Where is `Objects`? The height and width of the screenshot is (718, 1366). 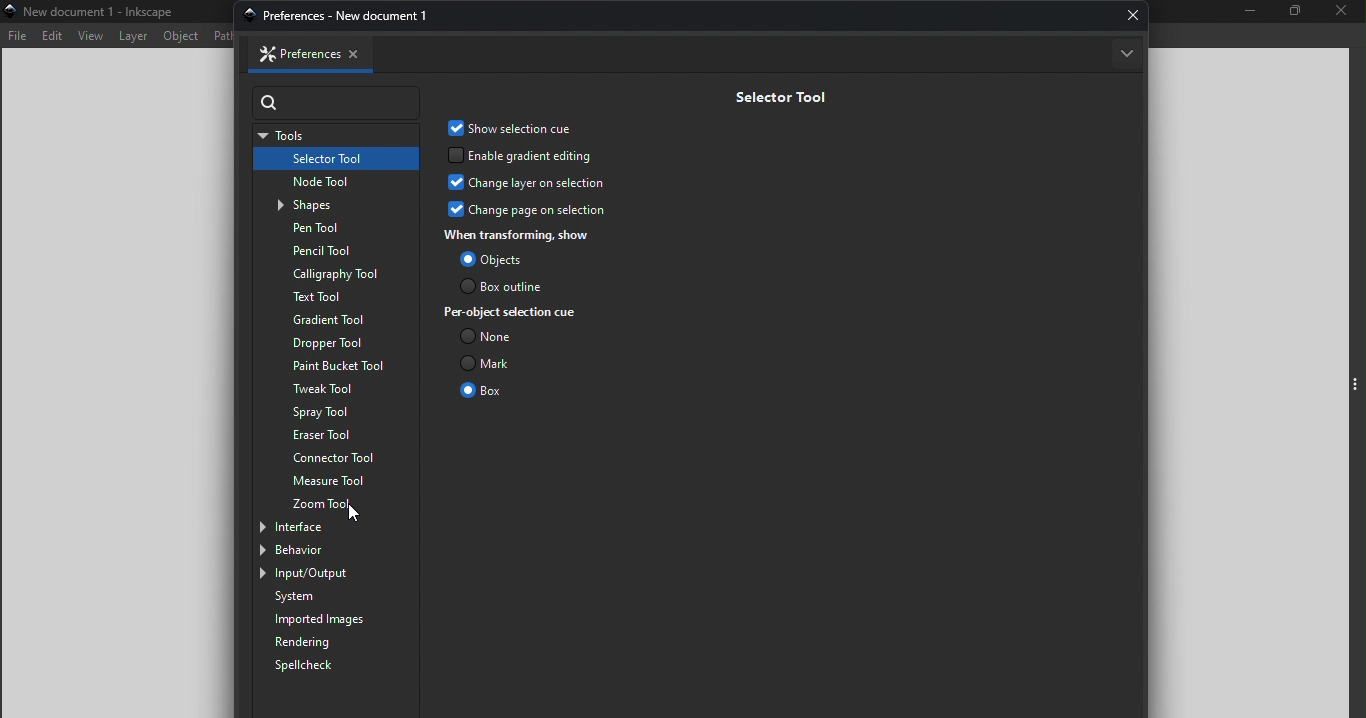 Objects is located at coordinates (490, 259).